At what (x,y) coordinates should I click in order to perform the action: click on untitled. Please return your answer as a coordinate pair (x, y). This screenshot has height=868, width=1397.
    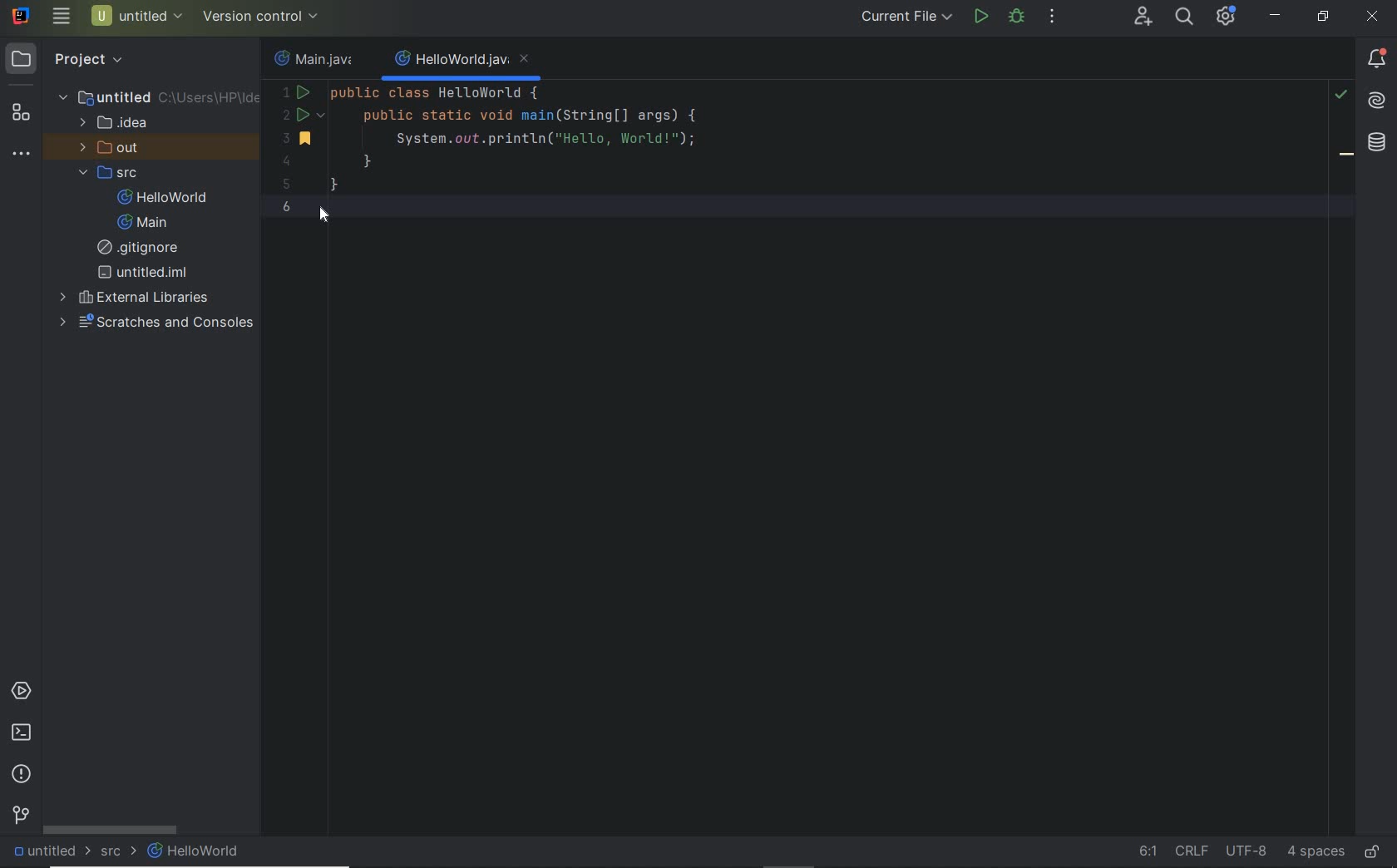
    Looking at the image, I should click on (143, 273).